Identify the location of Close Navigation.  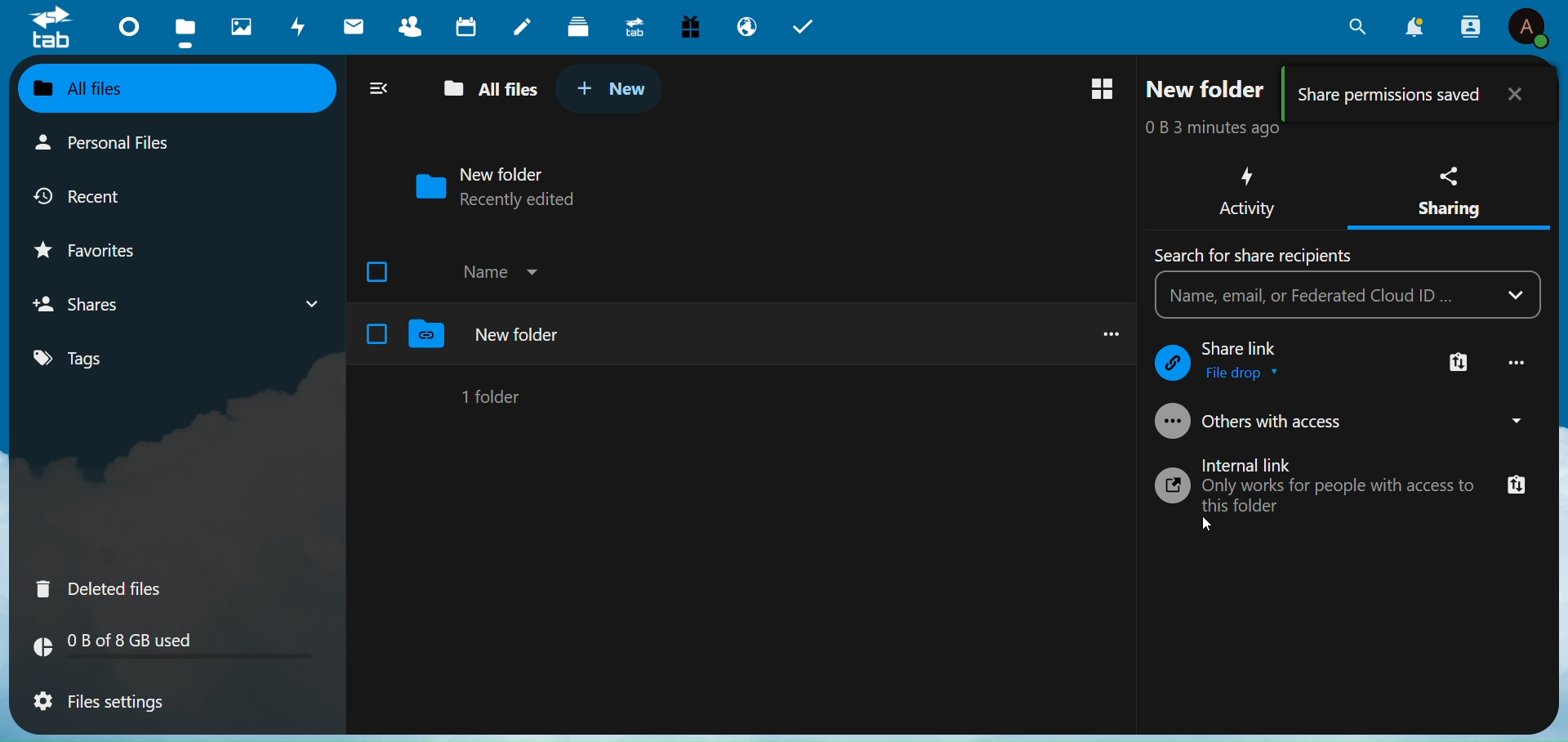
(378, 87).